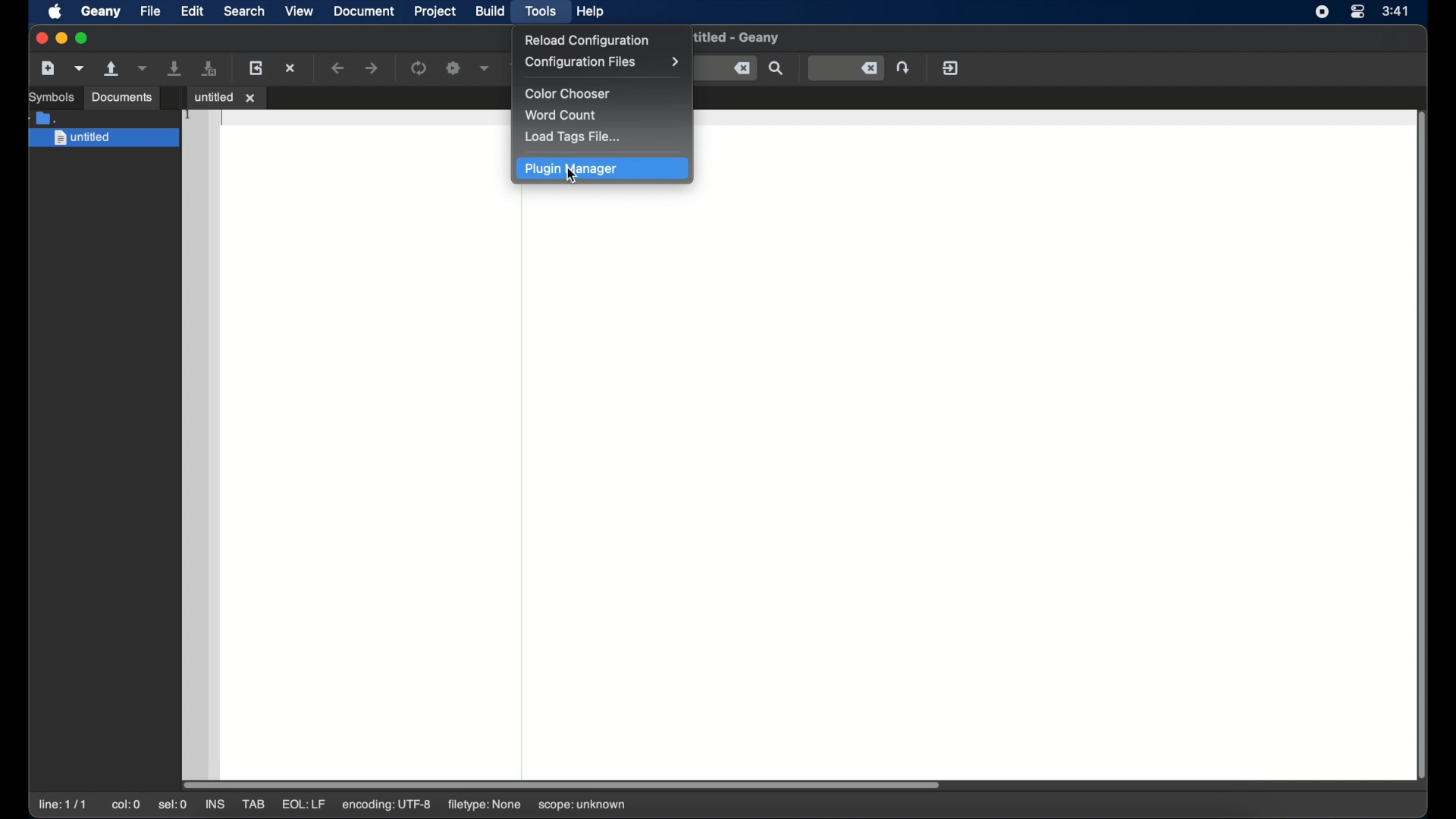 Image resolution: width=1456 pixels, height=819 pixels. I want to click on reload configuration, so click(588, 40).